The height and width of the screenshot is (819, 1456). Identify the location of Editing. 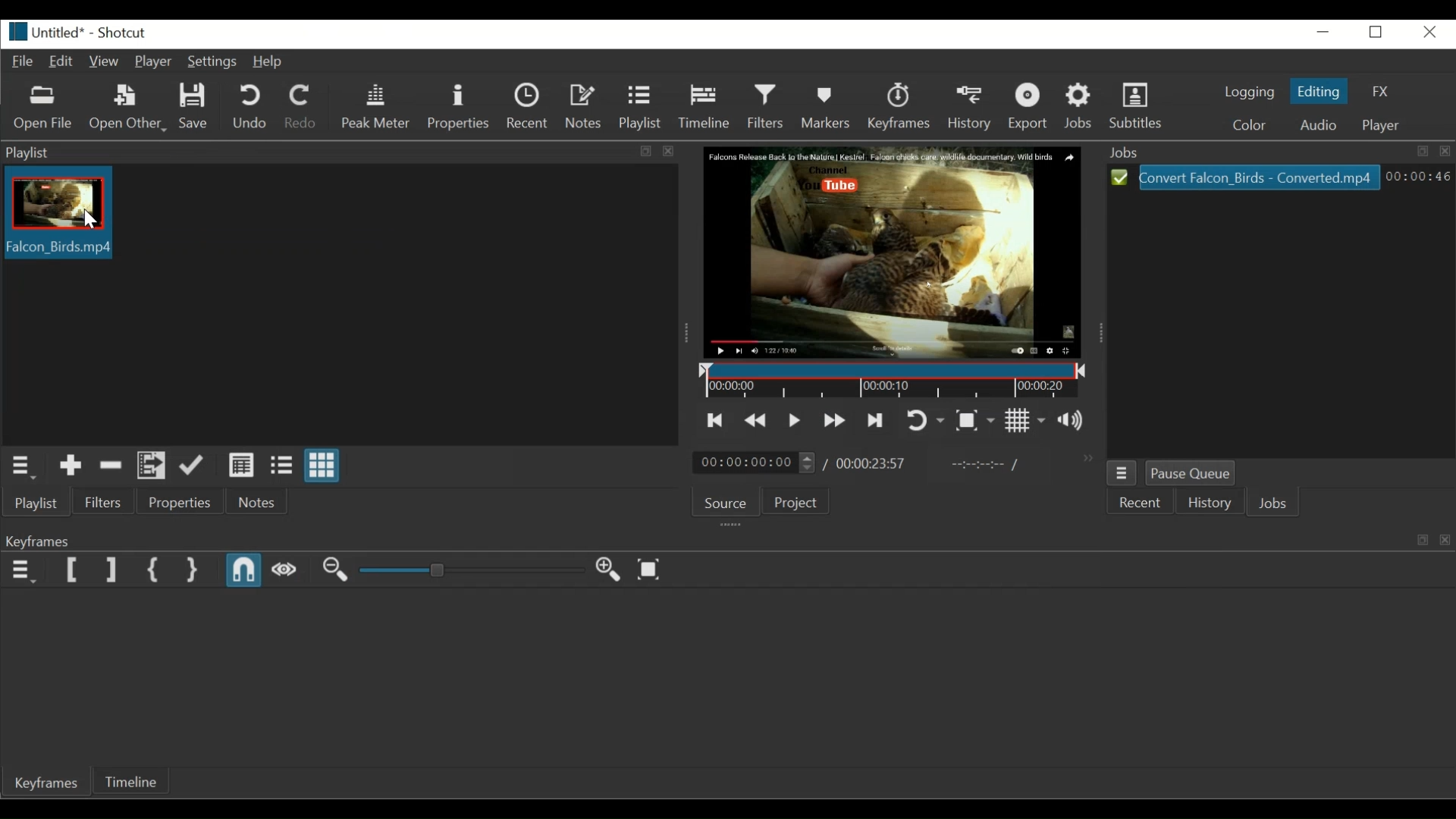
(1317, 91).